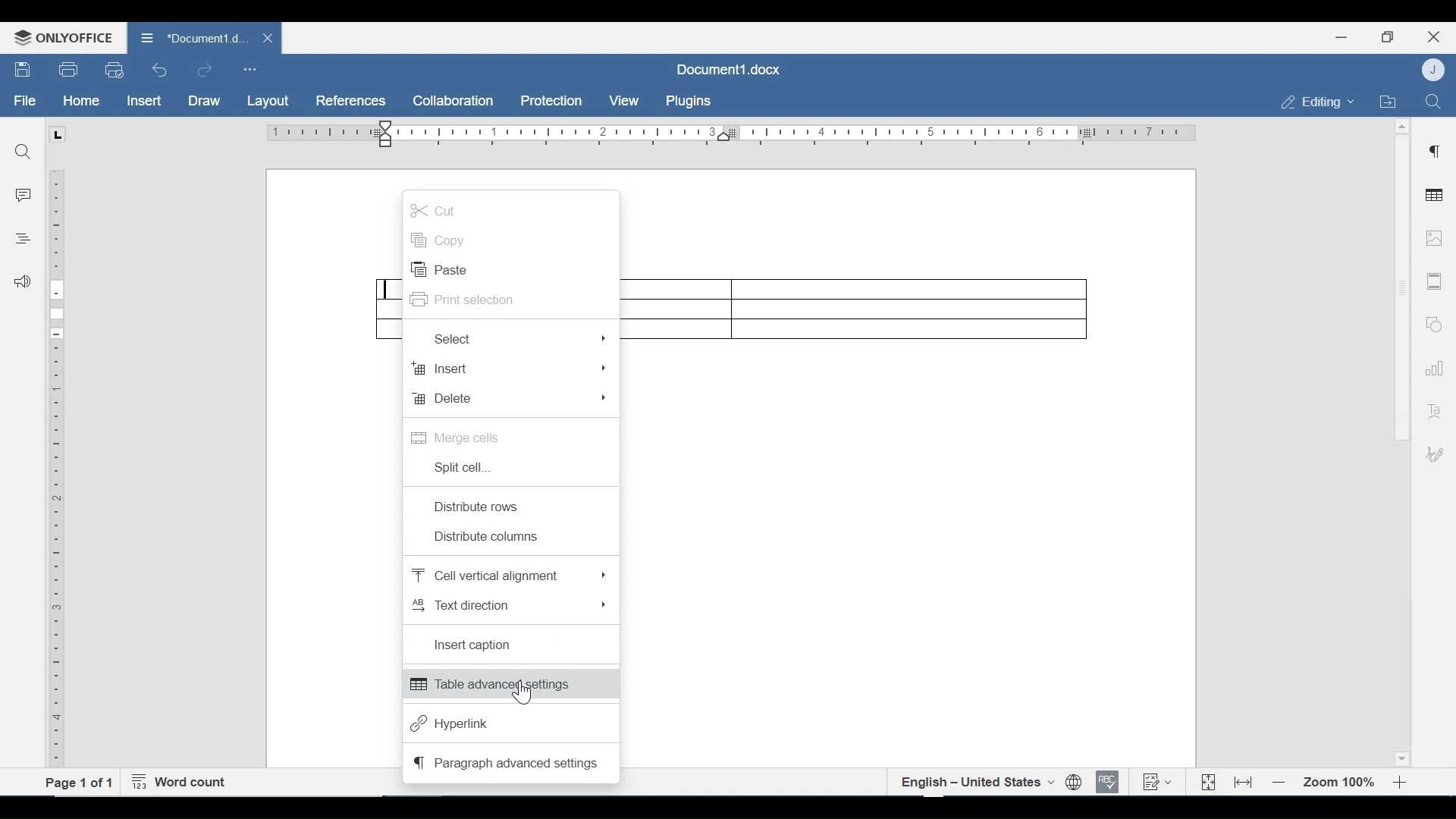 The image size is (1456, 819). What do you see at coordinates (507, 762) in the screenshot?
I see `Paragraph advanced settings` at bounding box center [507, 762].